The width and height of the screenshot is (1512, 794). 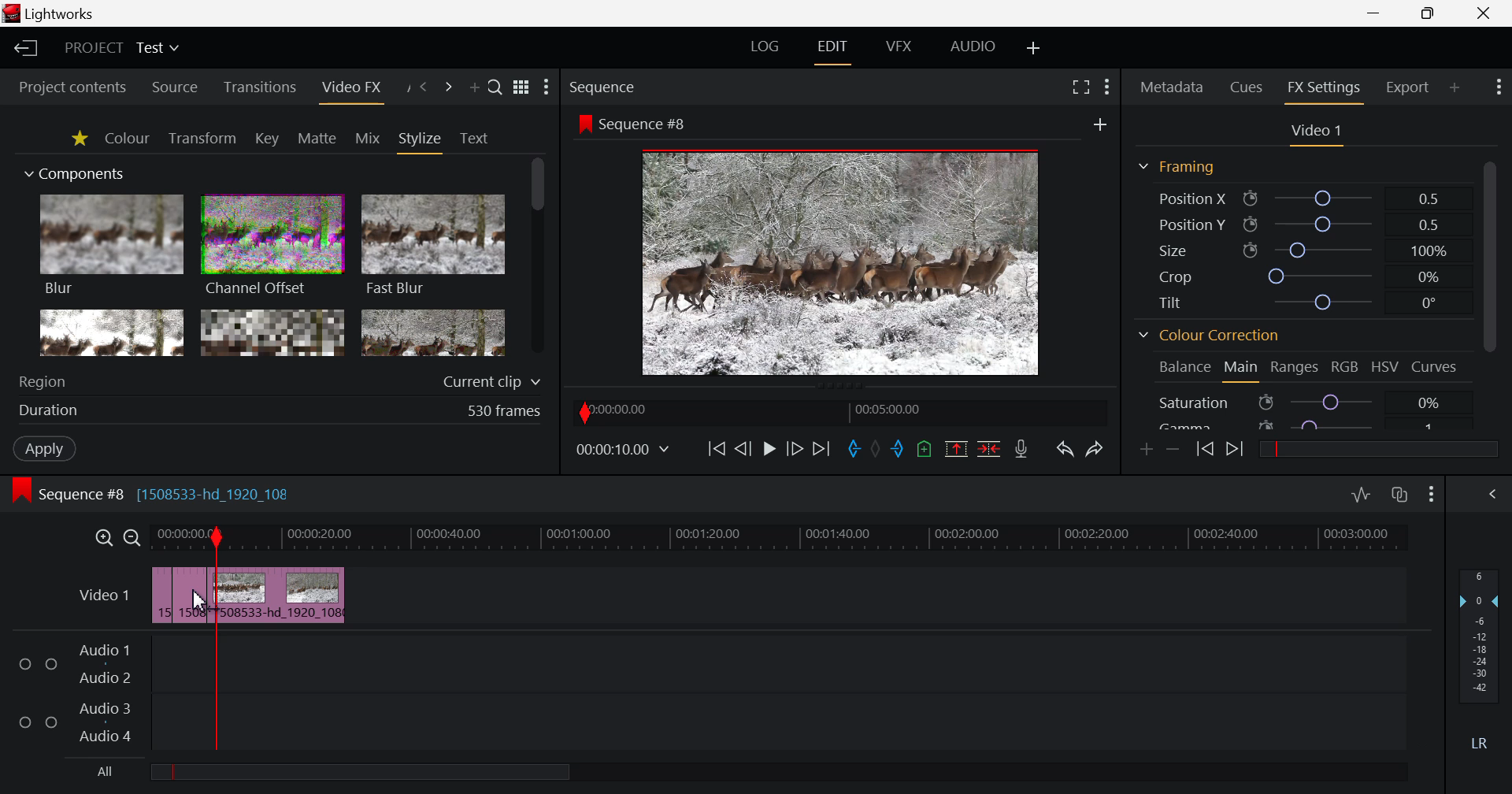 What do you see at coordinates (1176, 169) in the screenshot?
I see `Framing Section` at bounding box center [1176, 169].